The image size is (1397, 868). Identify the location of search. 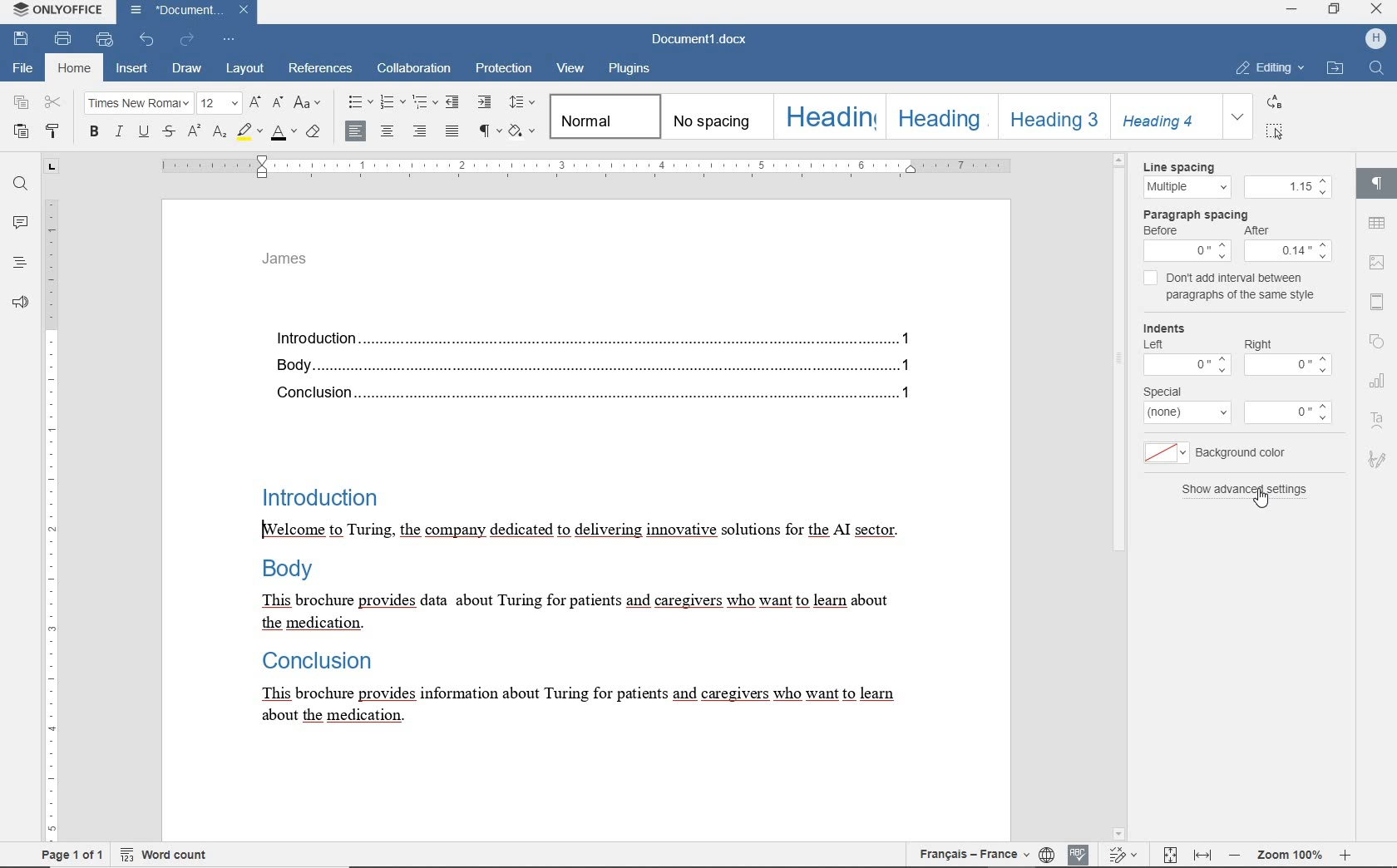
(1375, 68).